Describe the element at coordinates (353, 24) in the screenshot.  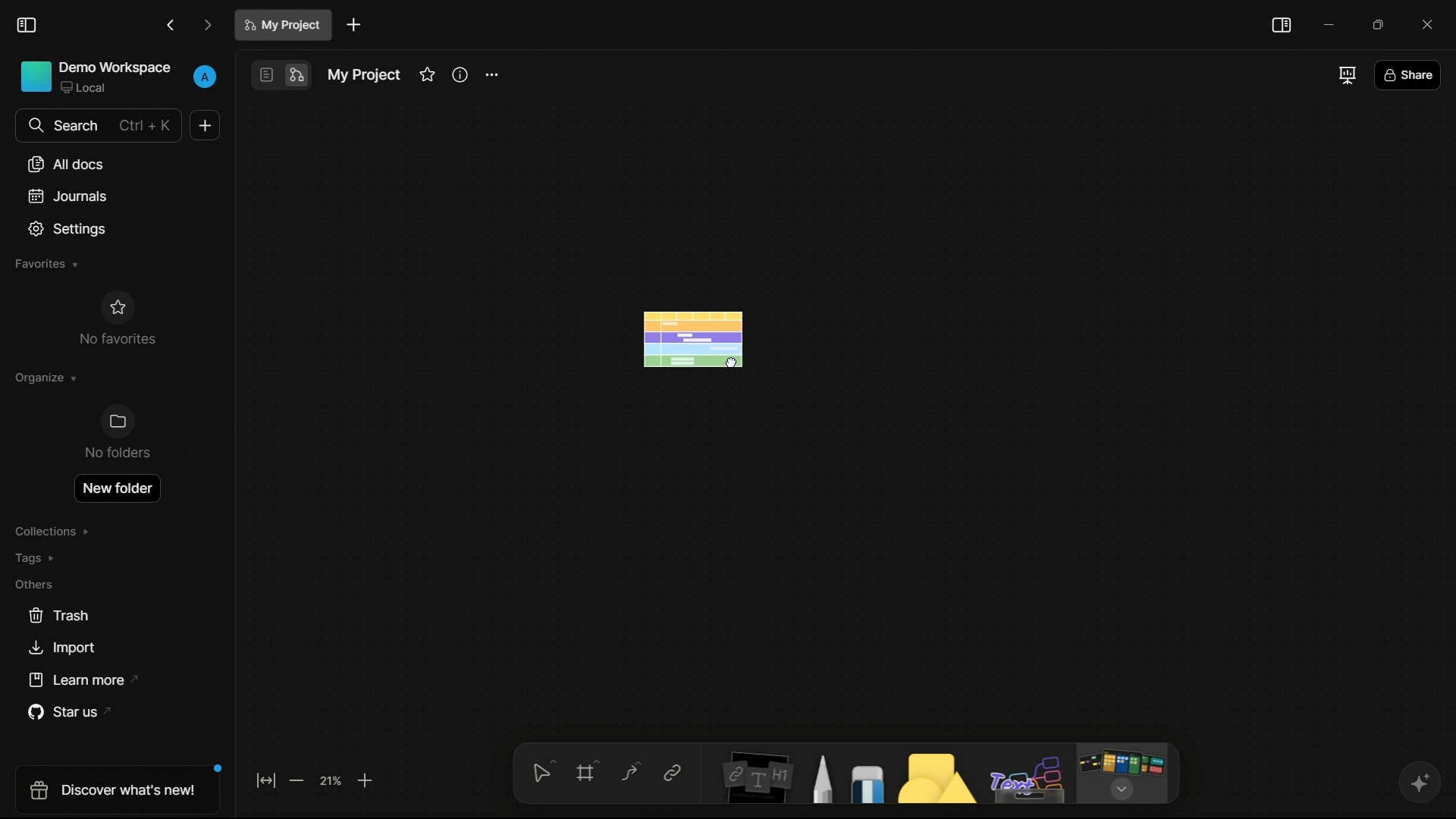
I see `add document` at that location.